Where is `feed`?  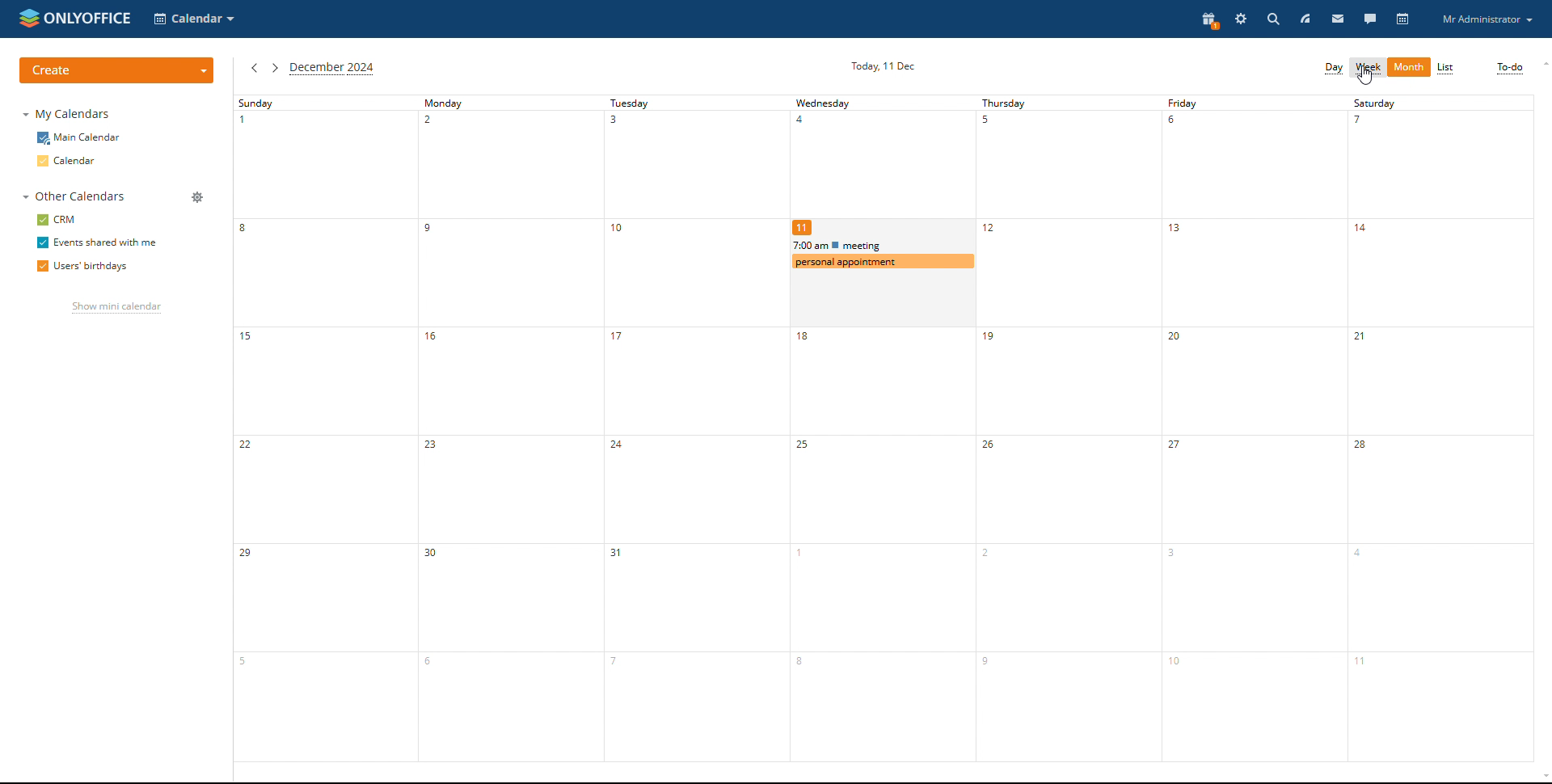 feed is located at coordinates (1305, 18).